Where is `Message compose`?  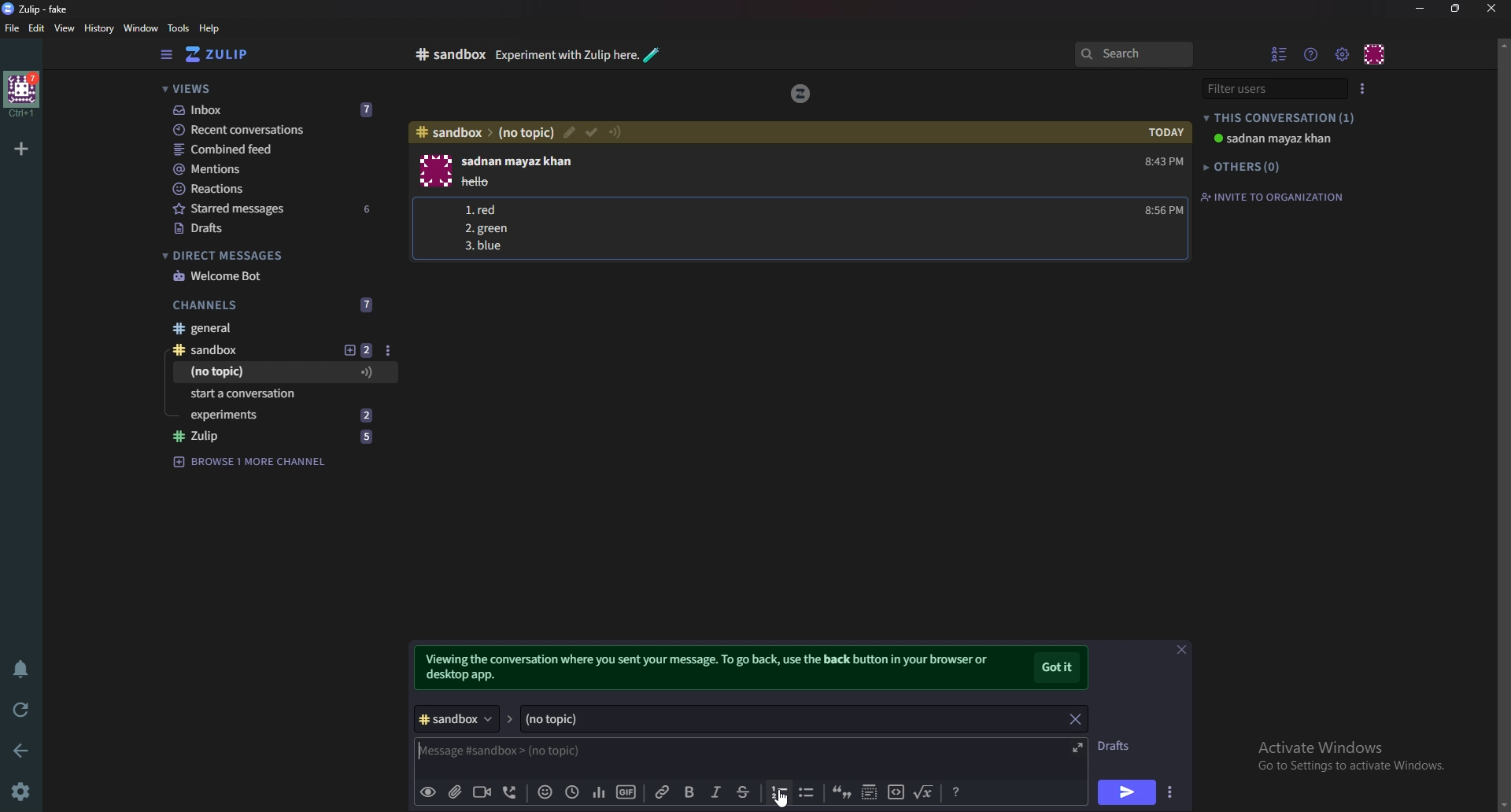
Message compose is located at coordinates (532, 751).